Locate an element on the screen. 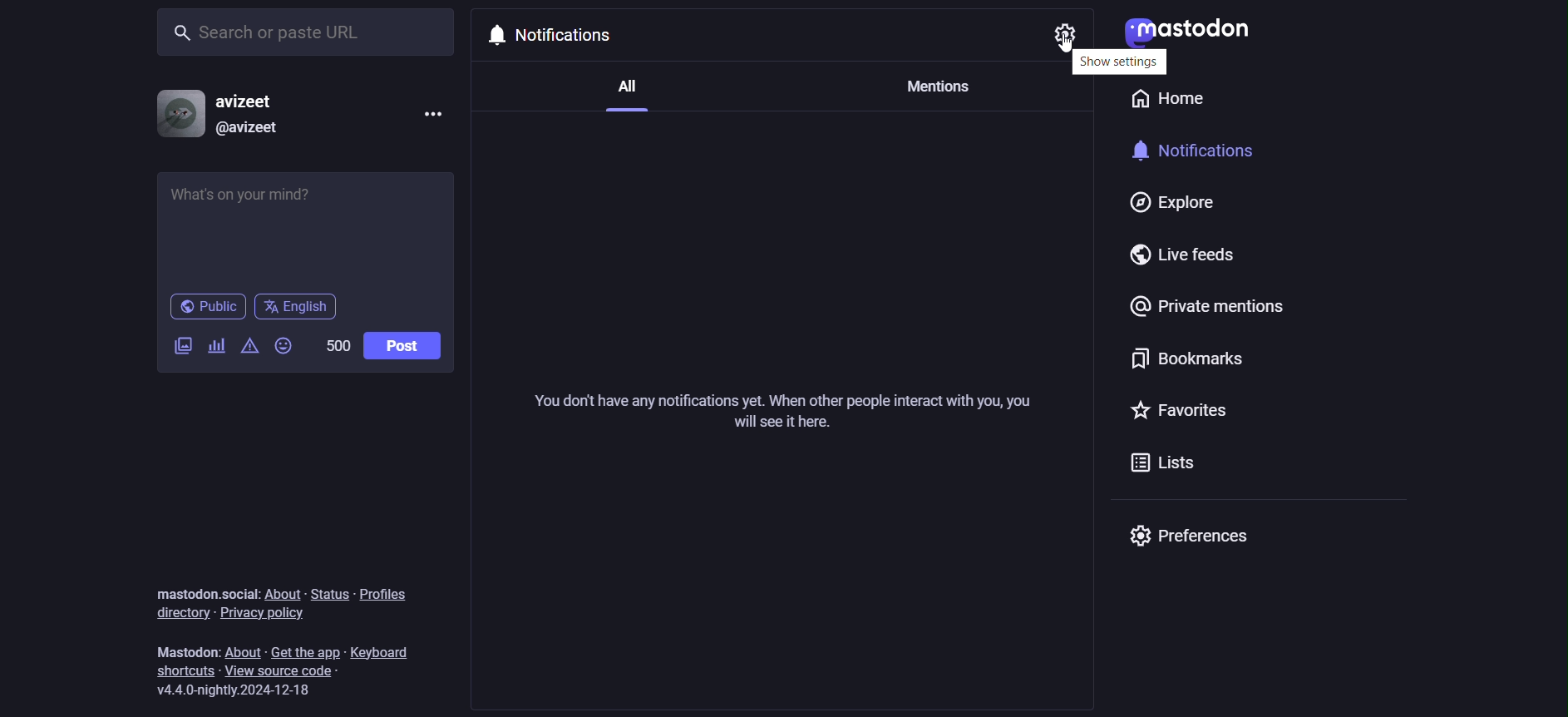  profile picture is located at coordinates (177, 114).